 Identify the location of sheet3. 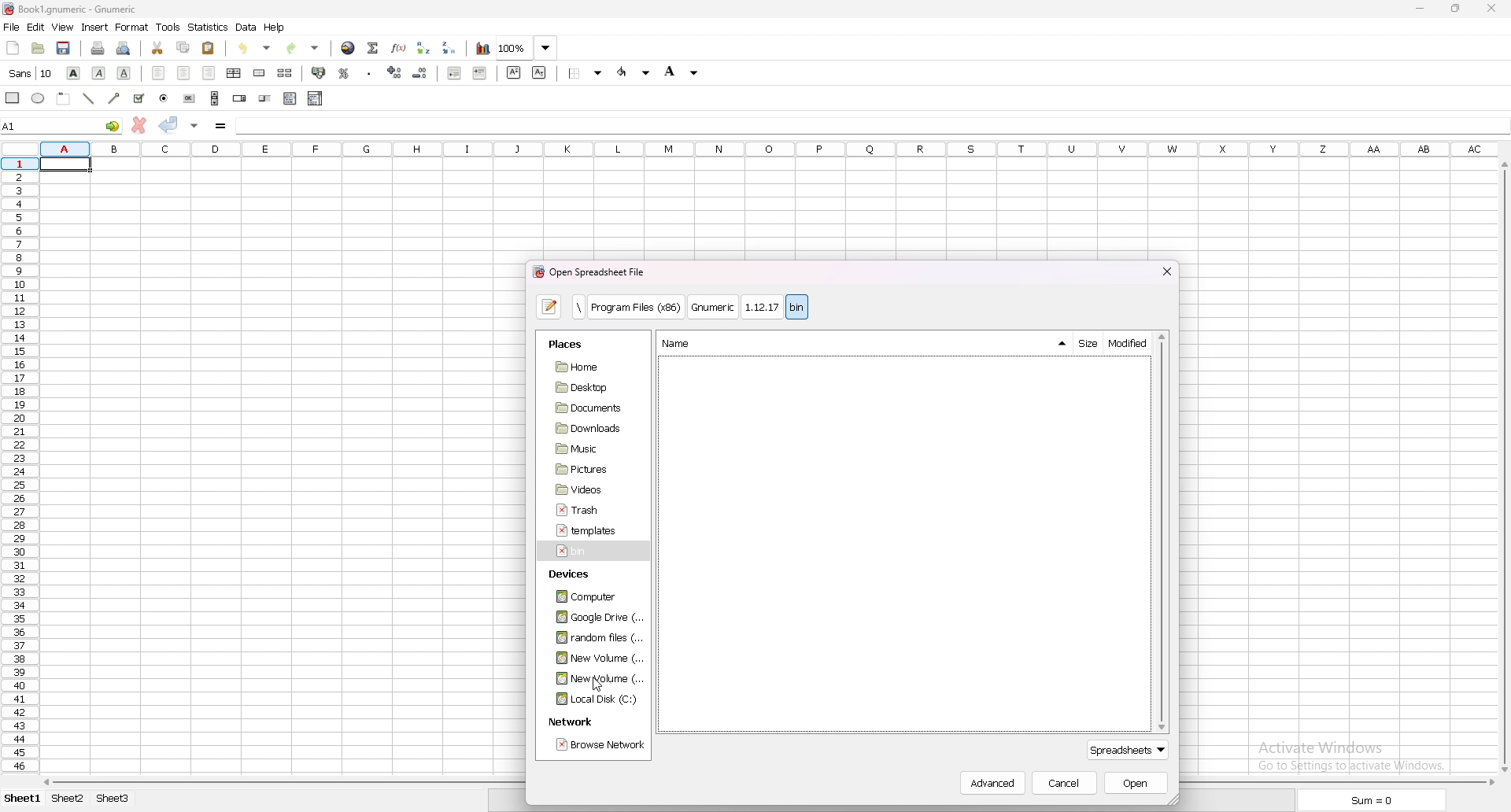
(116, 800).